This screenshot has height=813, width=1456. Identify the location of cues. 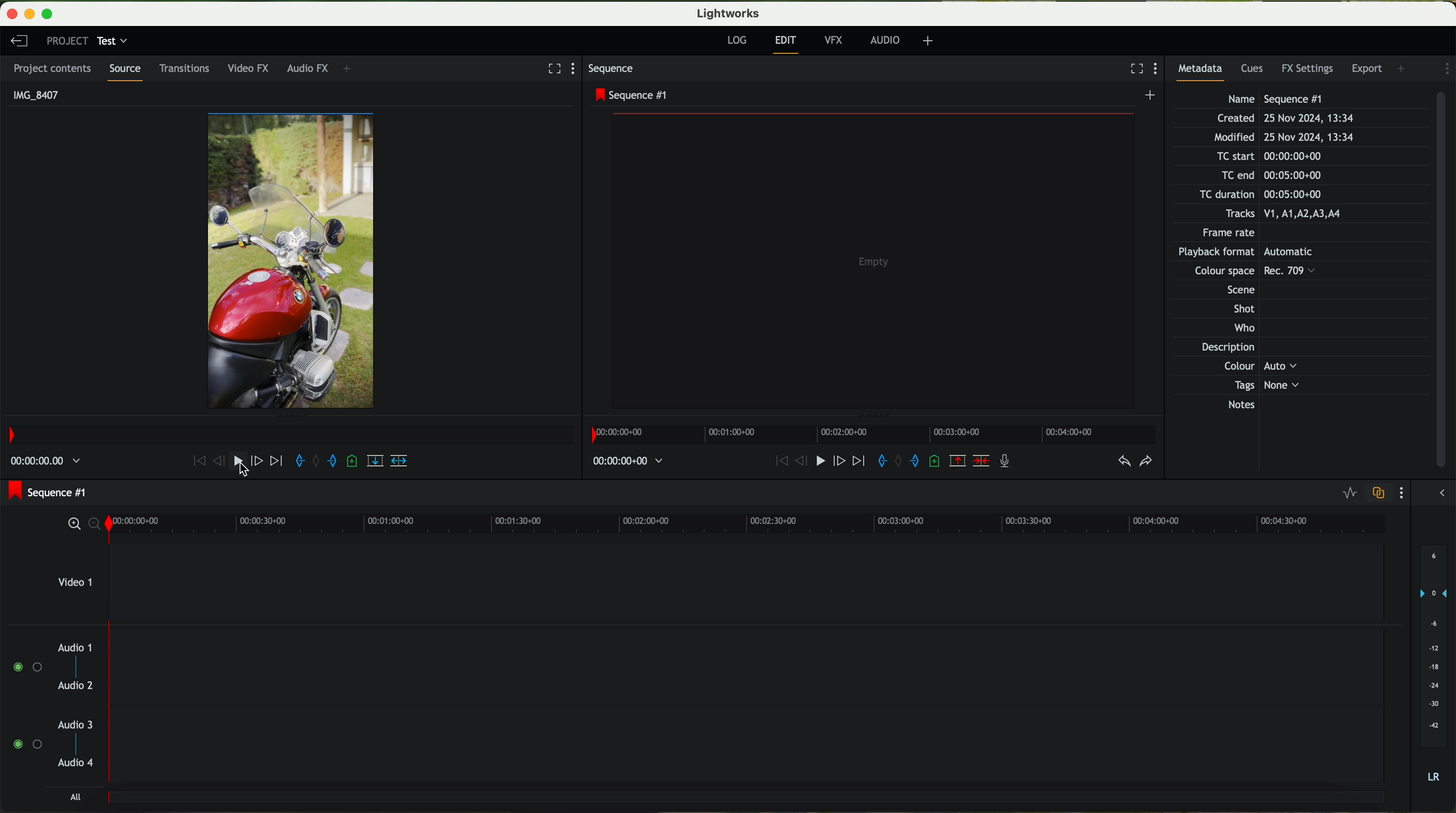
(1254, 70).